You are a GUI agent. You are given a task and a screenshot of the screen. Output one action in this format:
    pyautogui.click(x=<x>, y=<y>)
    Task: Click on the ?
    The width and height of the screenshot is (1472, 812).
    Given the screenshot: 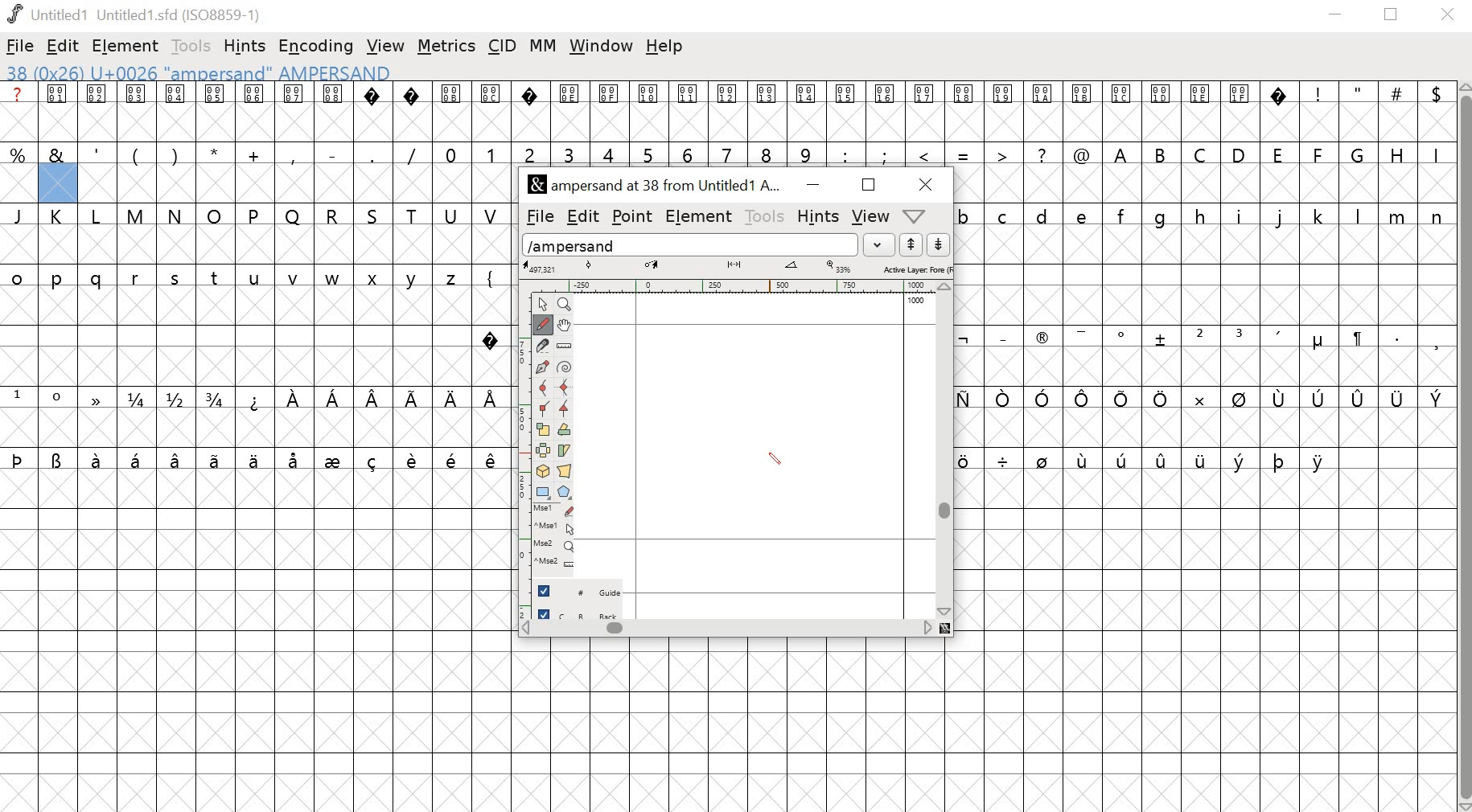 What is the action you would take?
    pyautogui.click(x=1043, y=154)
    